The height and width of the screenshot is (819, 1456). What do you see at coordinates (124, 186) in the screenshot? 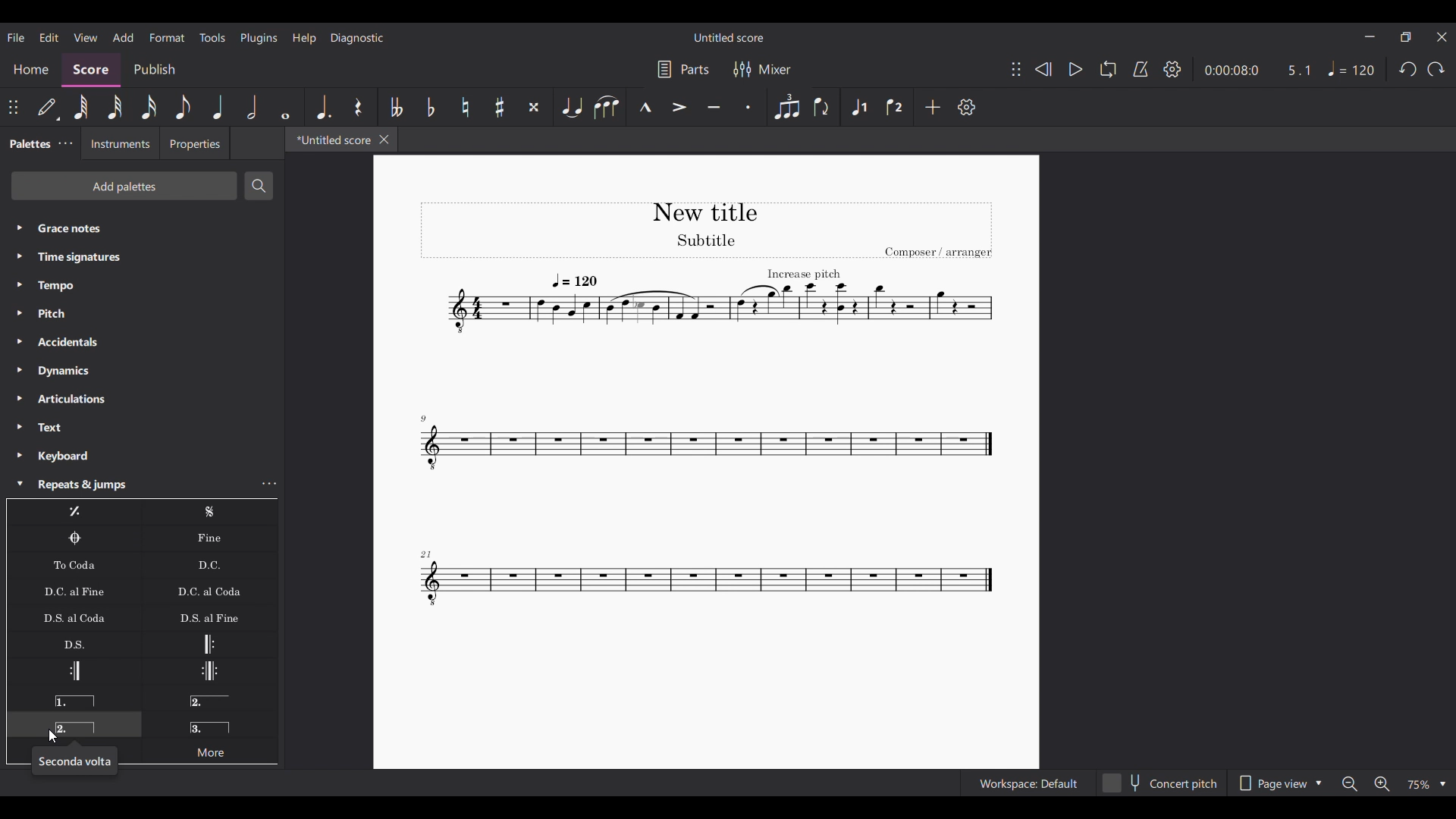
I see `Add palettes` at bounding box center [124, 186].